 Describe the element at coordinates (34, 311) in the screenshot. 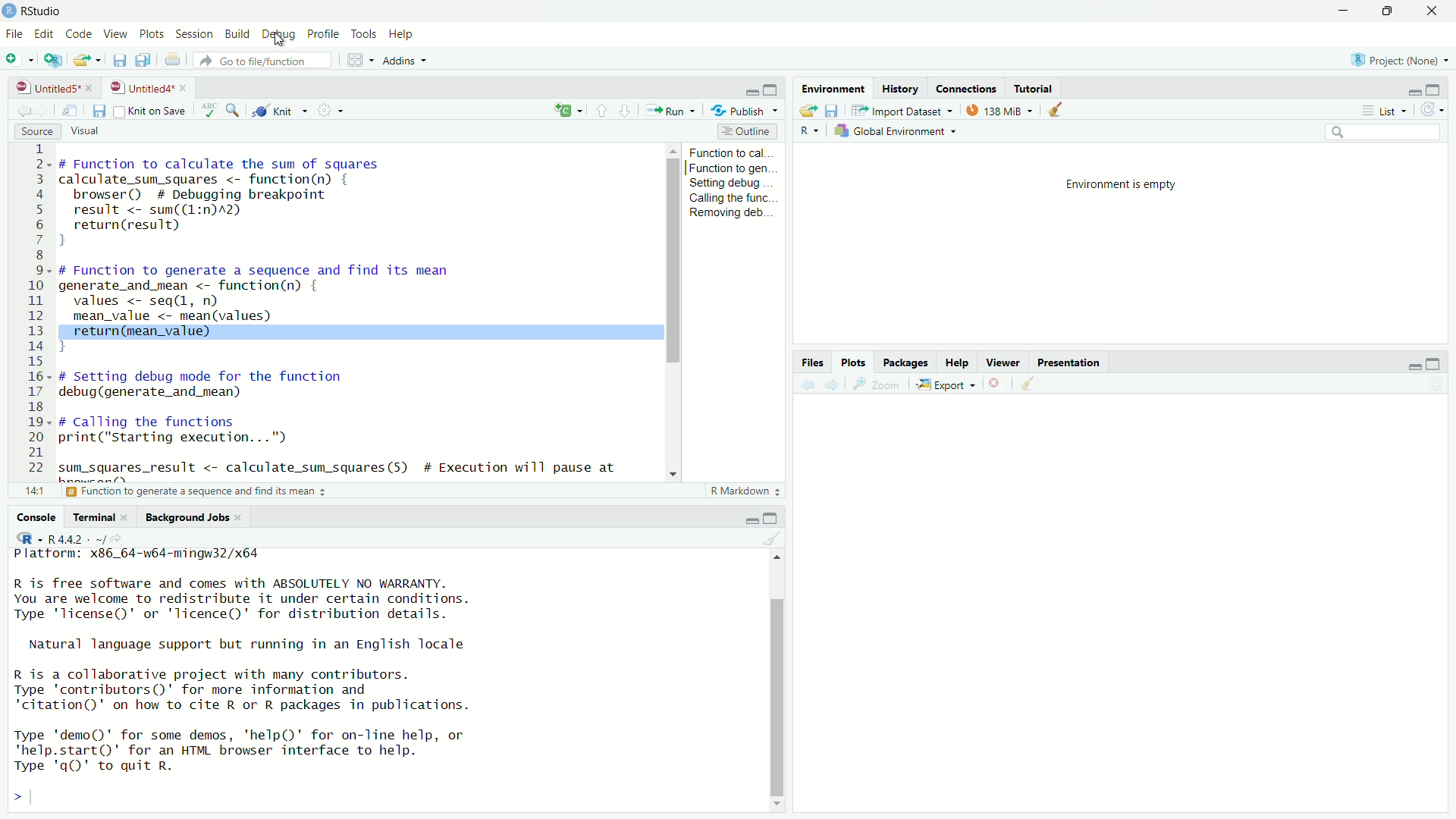

I see `serial numbers` at that location.